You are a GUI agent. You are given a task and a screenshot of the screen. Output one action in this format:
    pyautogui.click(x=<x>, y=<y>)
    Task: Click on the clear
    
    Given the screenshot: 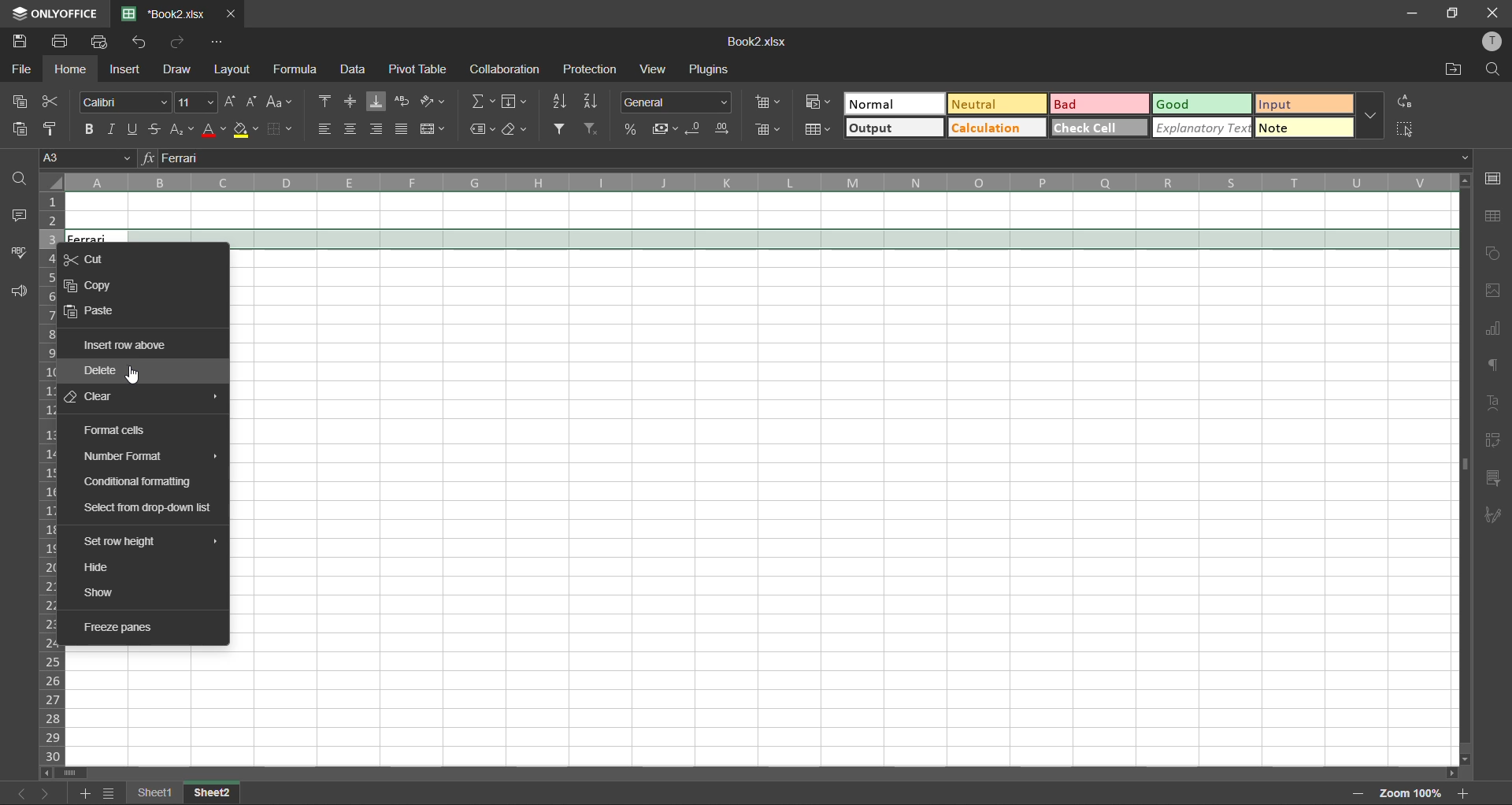 What is the action you would take?
    pyautogui.click(x=94, y=393)
    